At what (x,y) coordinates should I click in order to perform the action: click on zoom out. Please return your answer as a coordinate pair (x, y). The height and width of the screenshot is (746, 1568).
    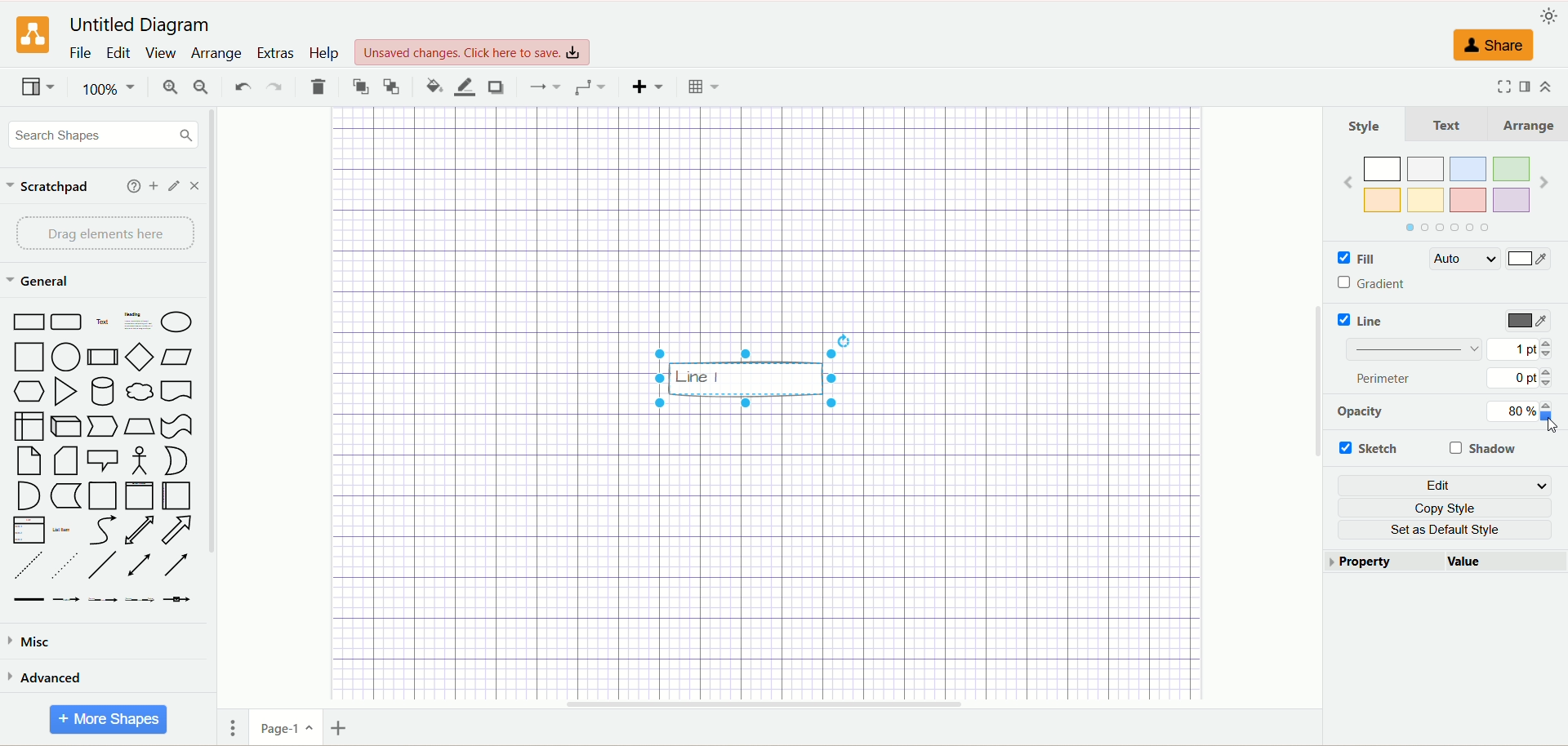
    Looking at the image, I should click on (201, 87).